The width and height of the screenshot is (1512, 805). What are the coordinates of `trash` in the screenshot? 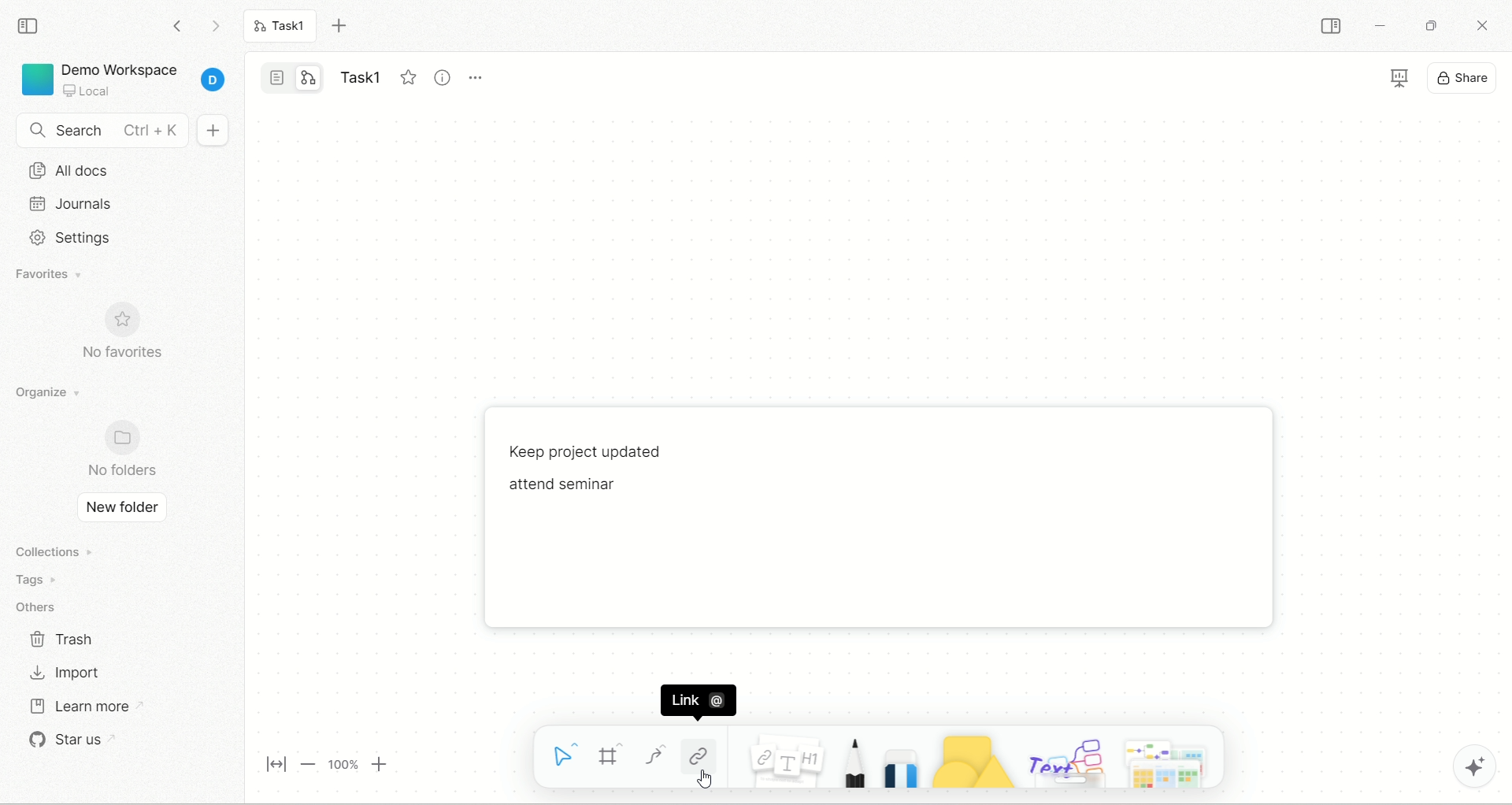 It's located at (64, 637).